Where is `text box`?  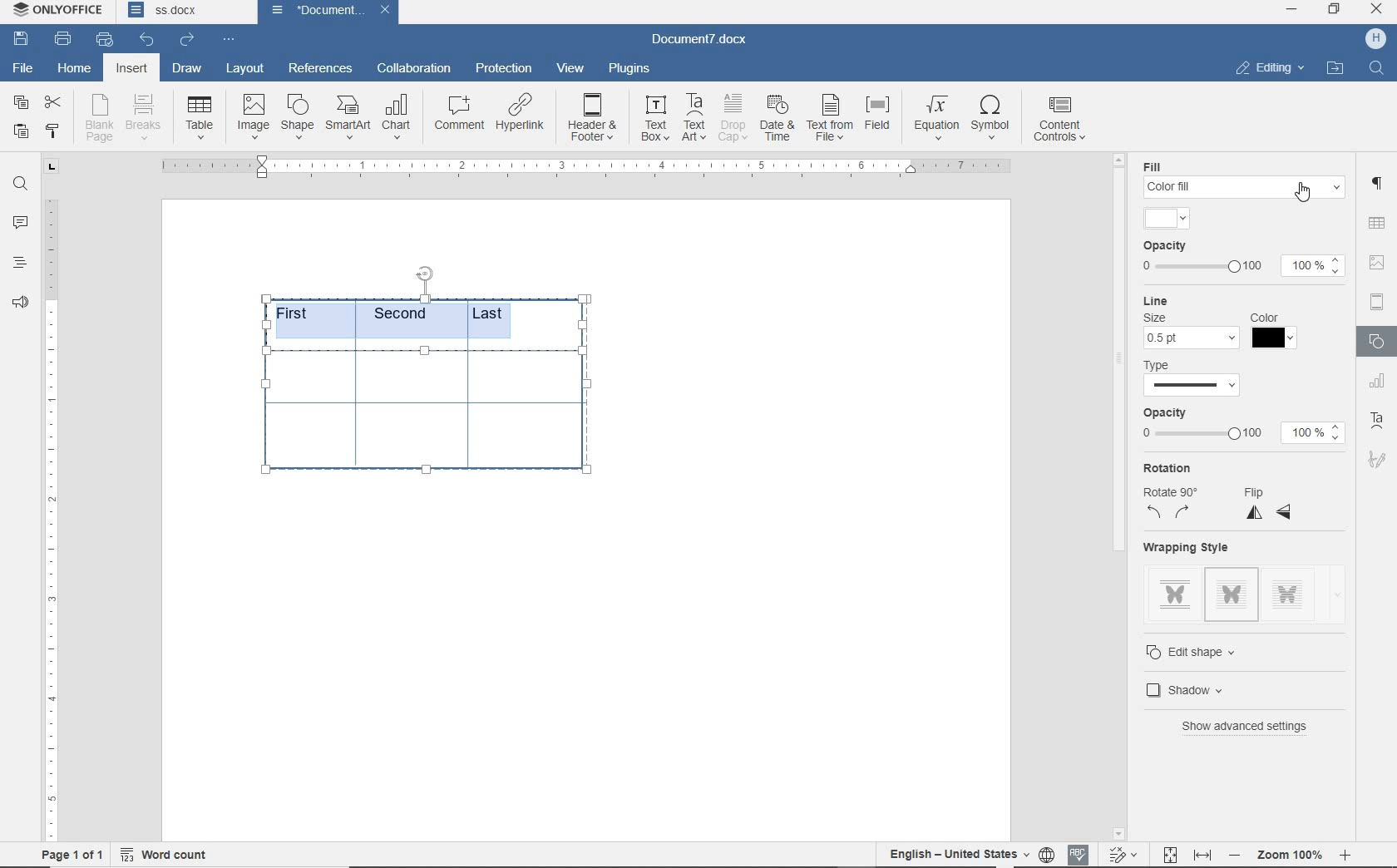
text box is located at coordinates (654, 118).